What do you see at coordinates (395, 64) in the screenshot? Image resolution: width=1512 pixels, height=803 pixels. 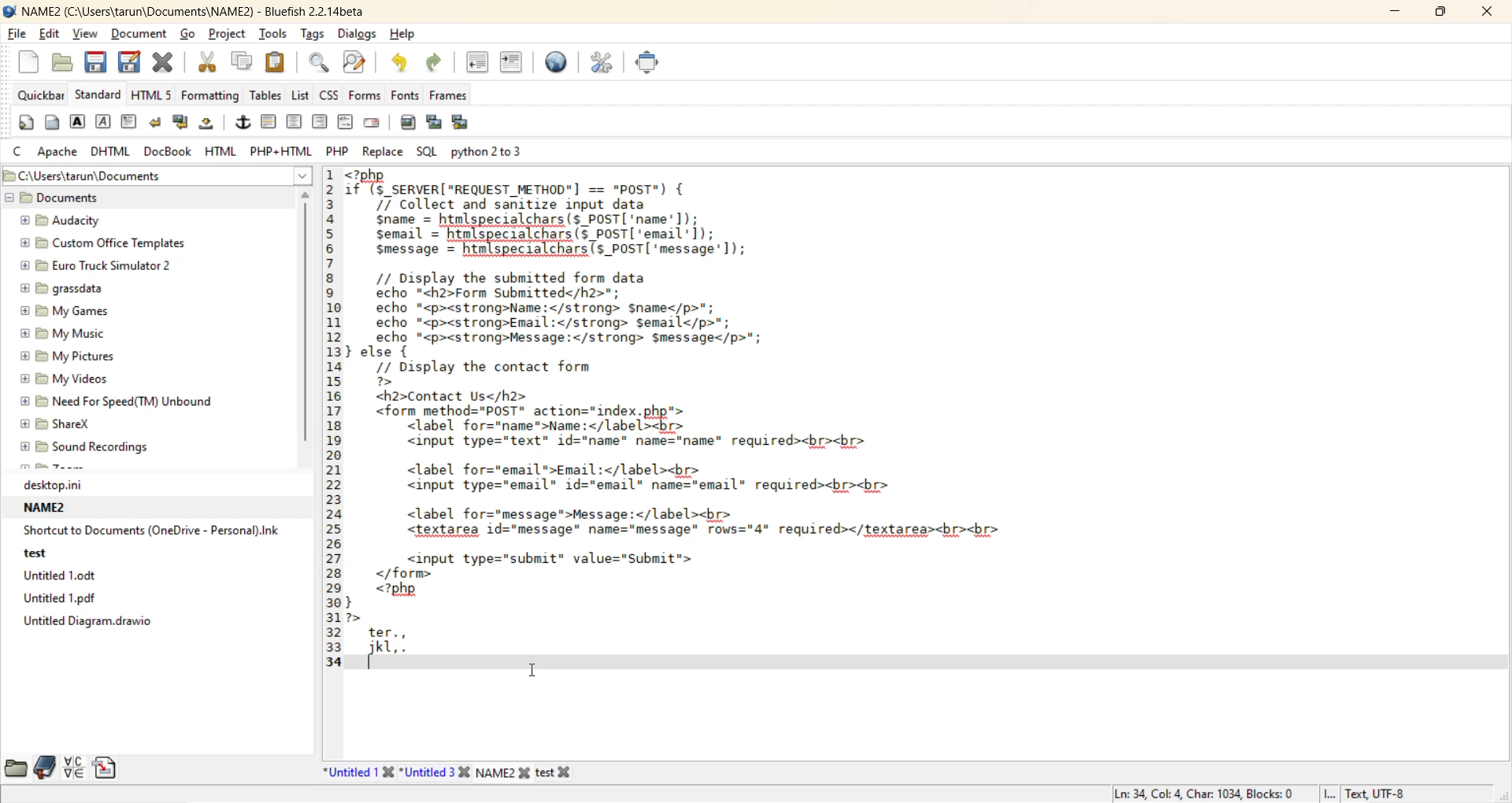 I see `undo` at bounding box center [395, 64].